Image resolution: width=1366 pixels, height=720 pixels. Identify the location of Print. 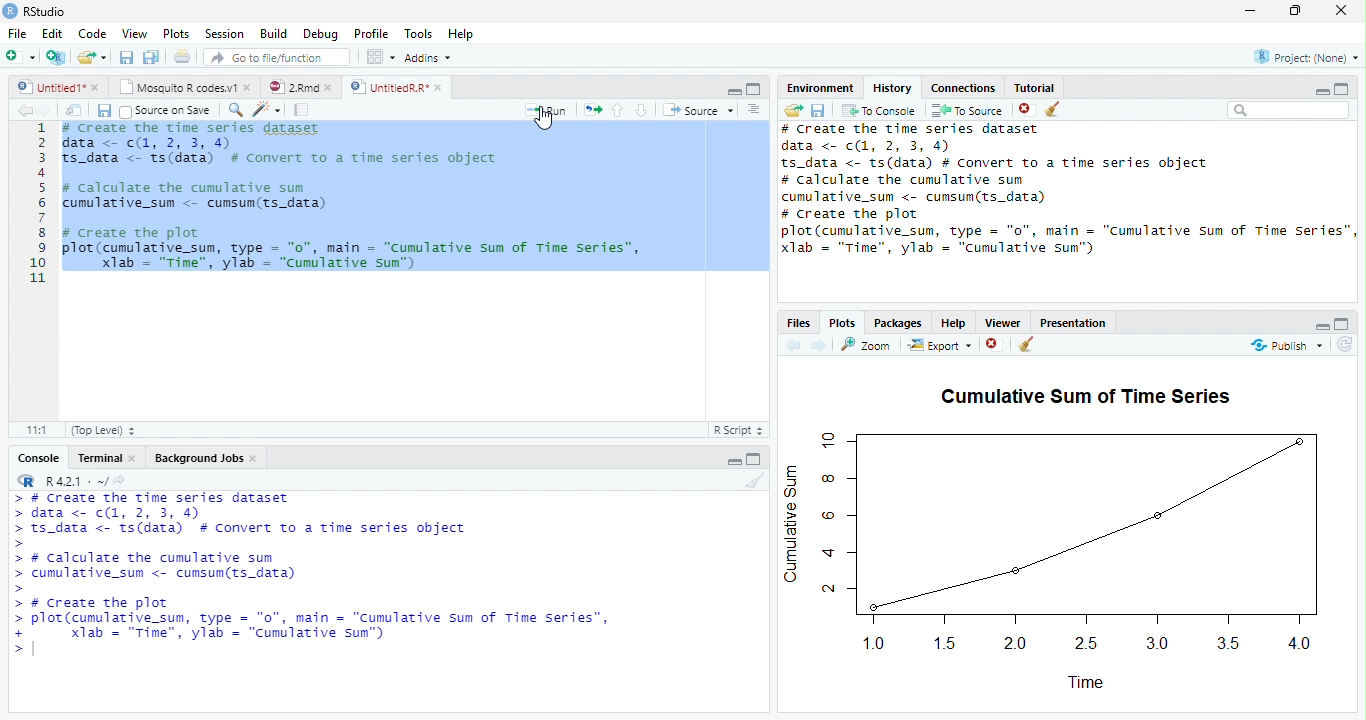
(184, 58).